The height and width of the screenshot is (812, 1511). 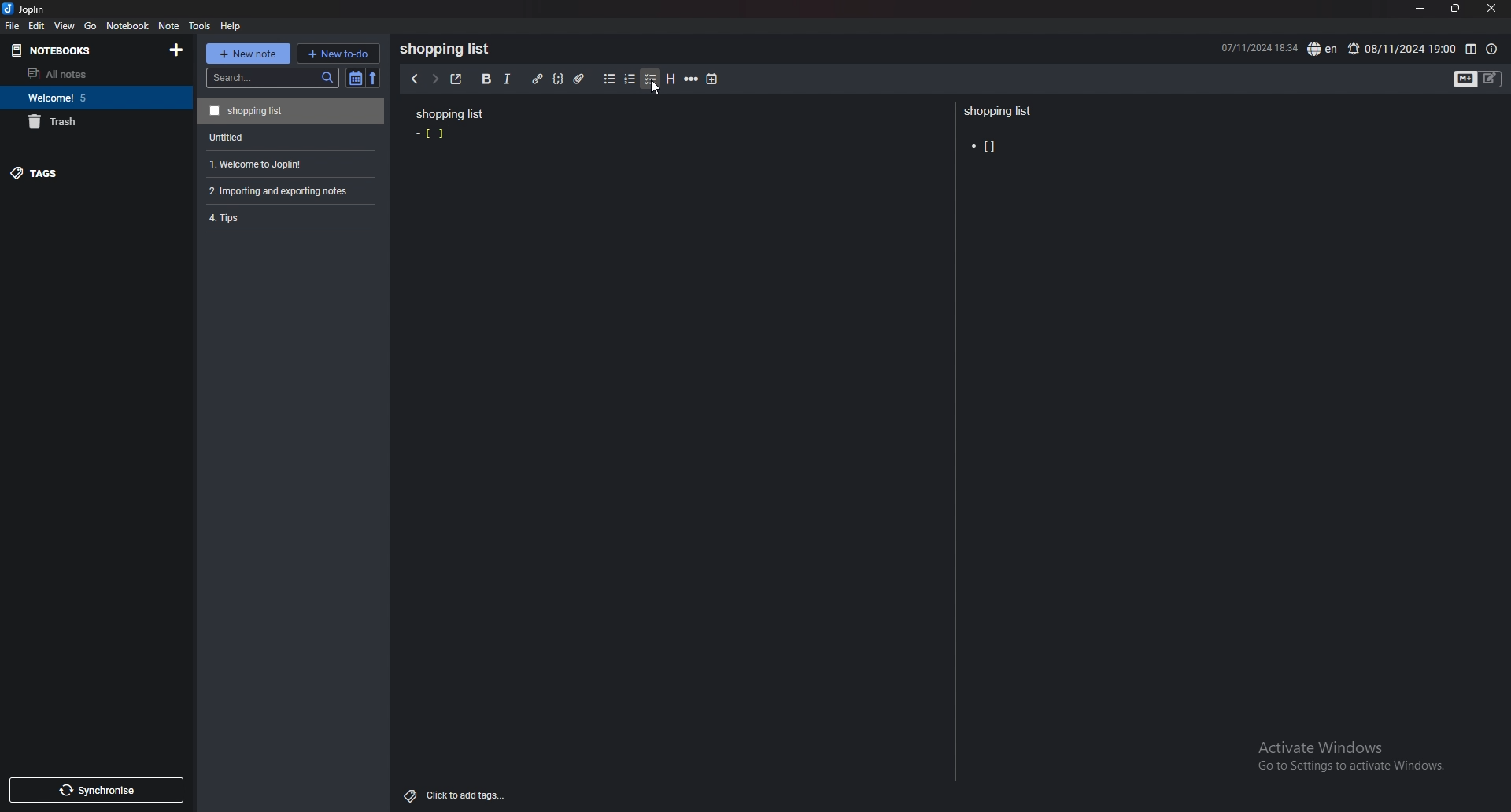 What do you see at coordinates (231, 26) in the screenshot?
I see `help` at bounding box center [231, 26].